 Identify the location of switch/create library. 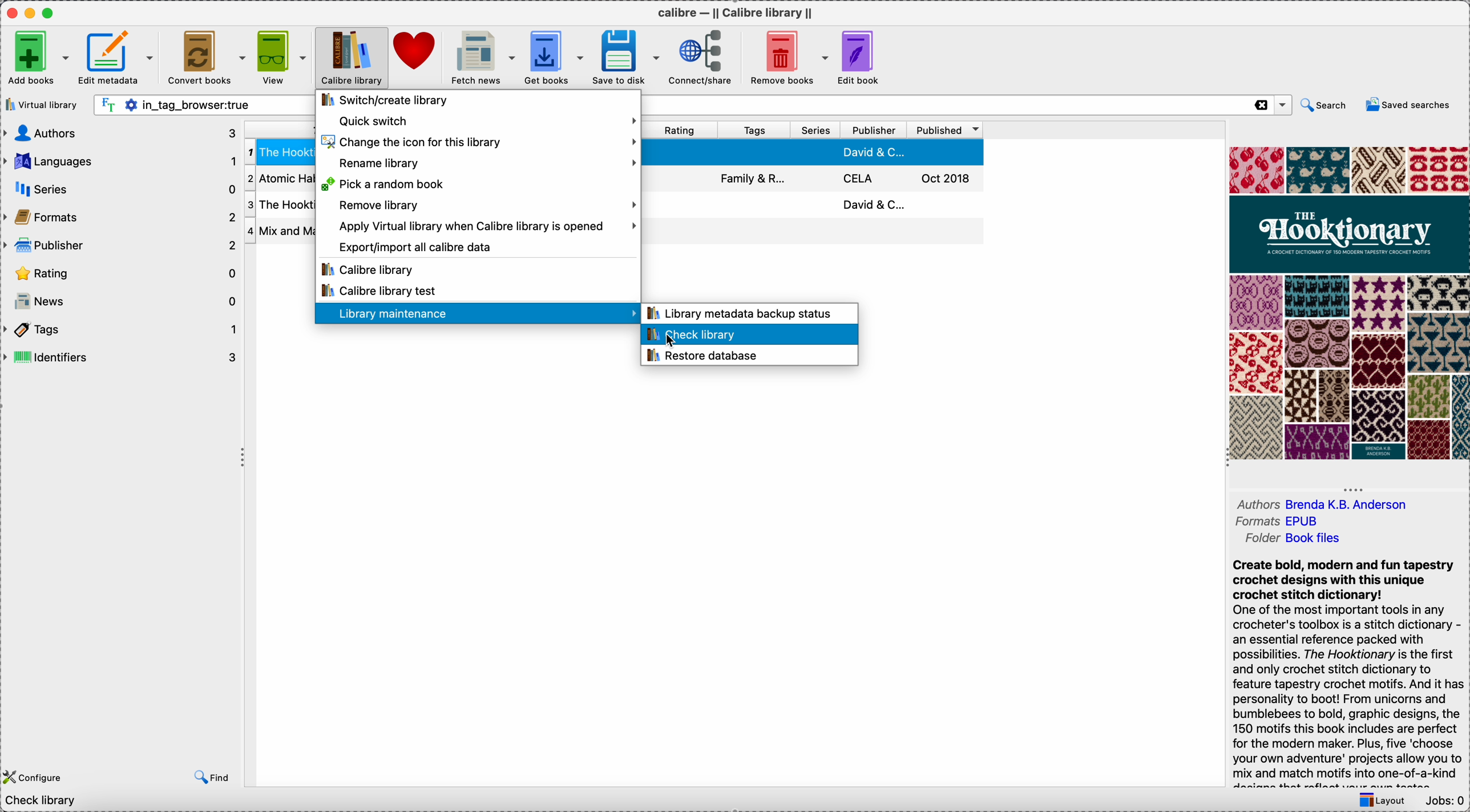
(389, 101).